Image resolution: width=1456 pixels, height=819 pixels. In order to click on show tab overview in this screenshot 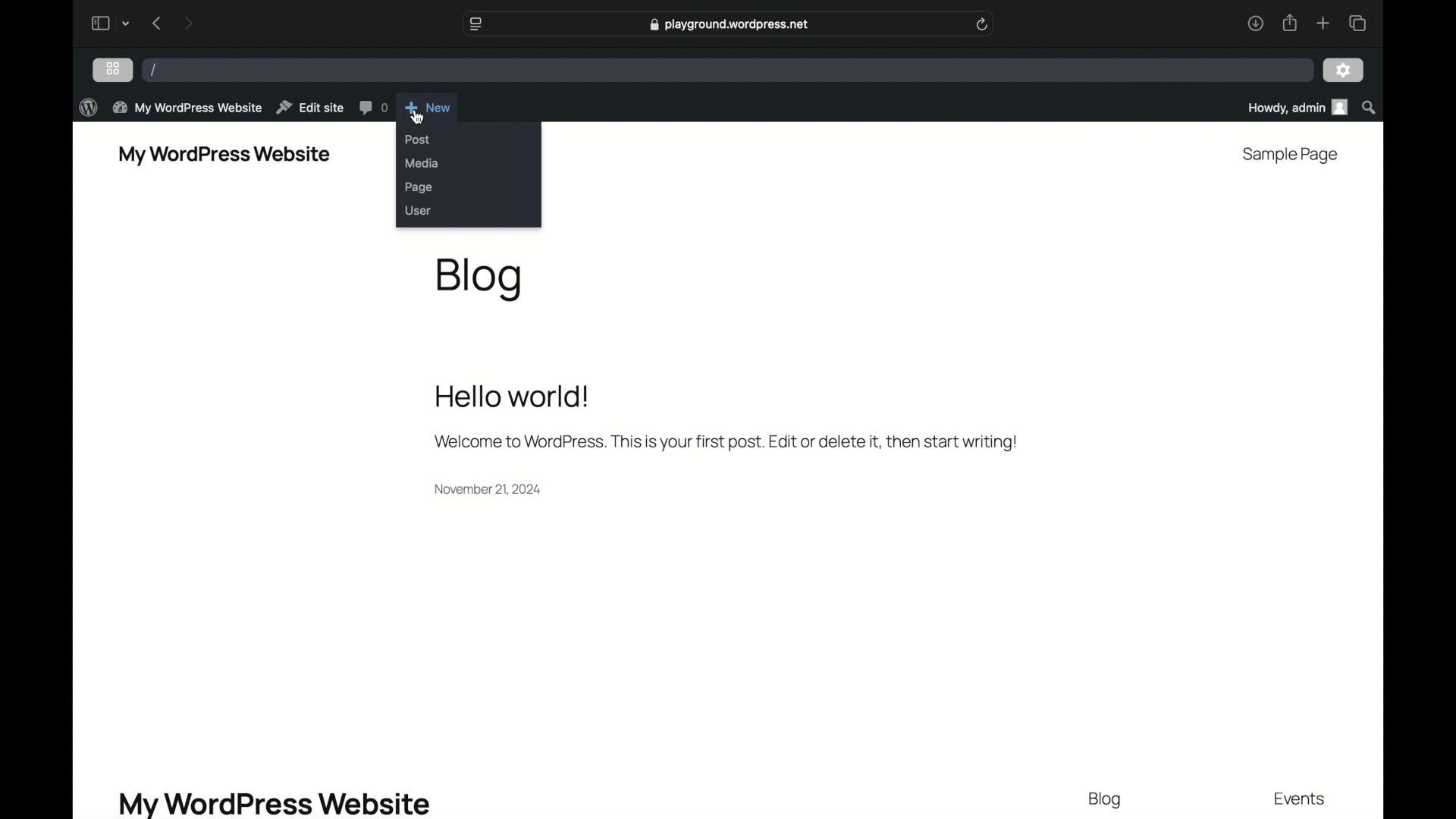, I will do `click(1359, 24)`.